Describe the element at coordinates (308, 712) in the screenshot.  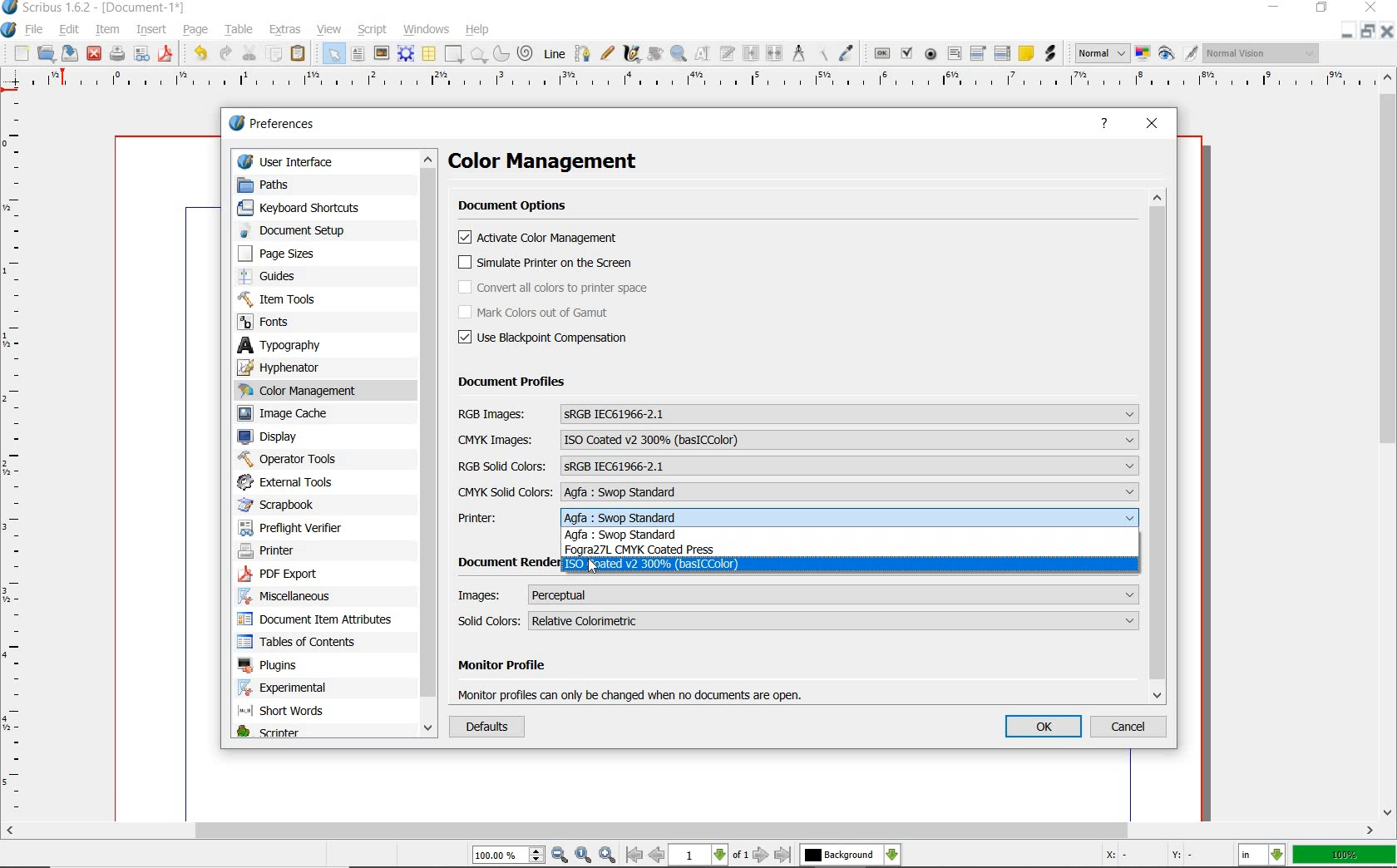
I see `short words` at that location.